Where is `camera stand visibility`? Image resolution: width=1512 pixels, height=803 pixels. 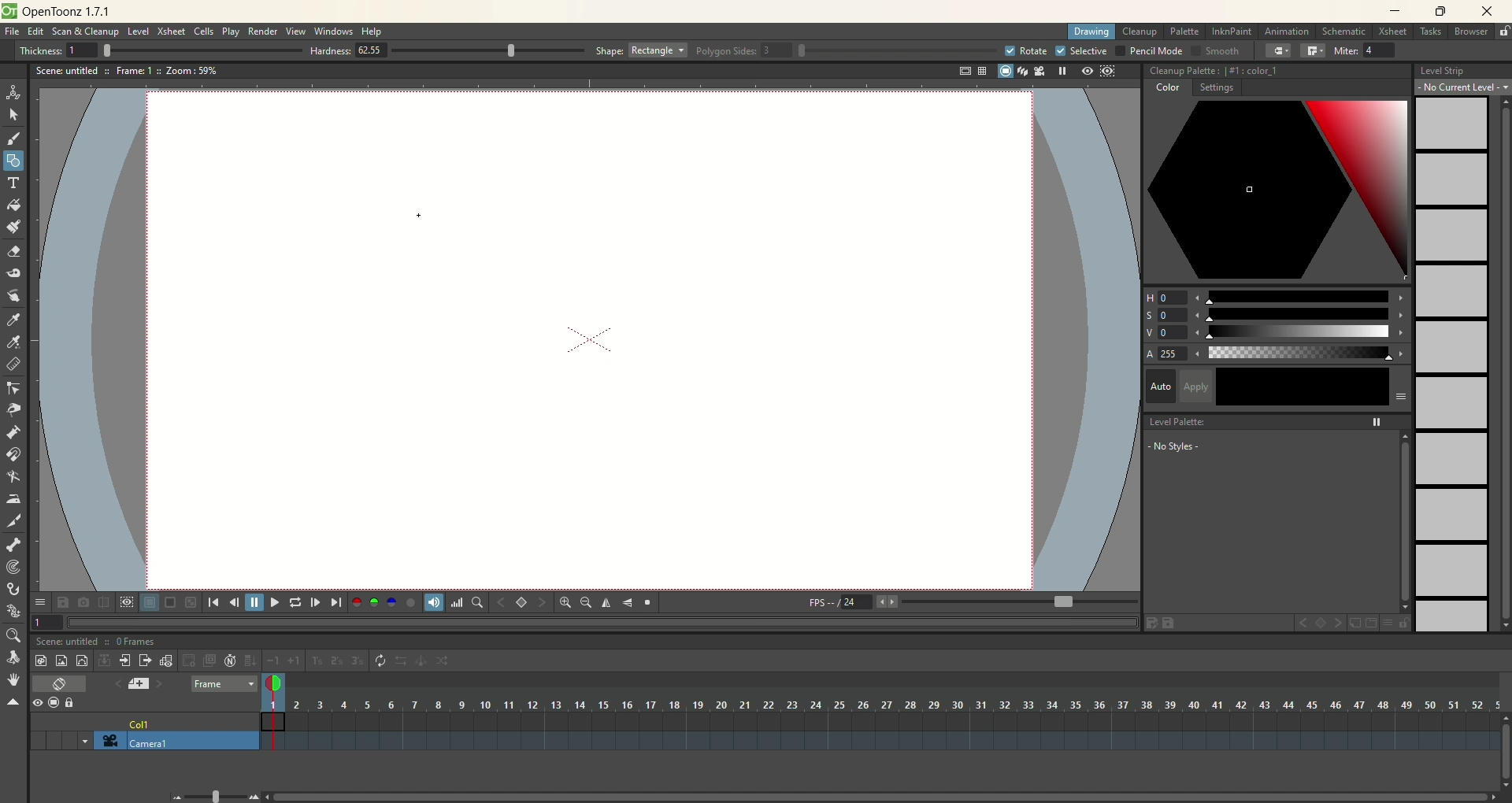 camera stand visibility is located at coordinates (57, 701).